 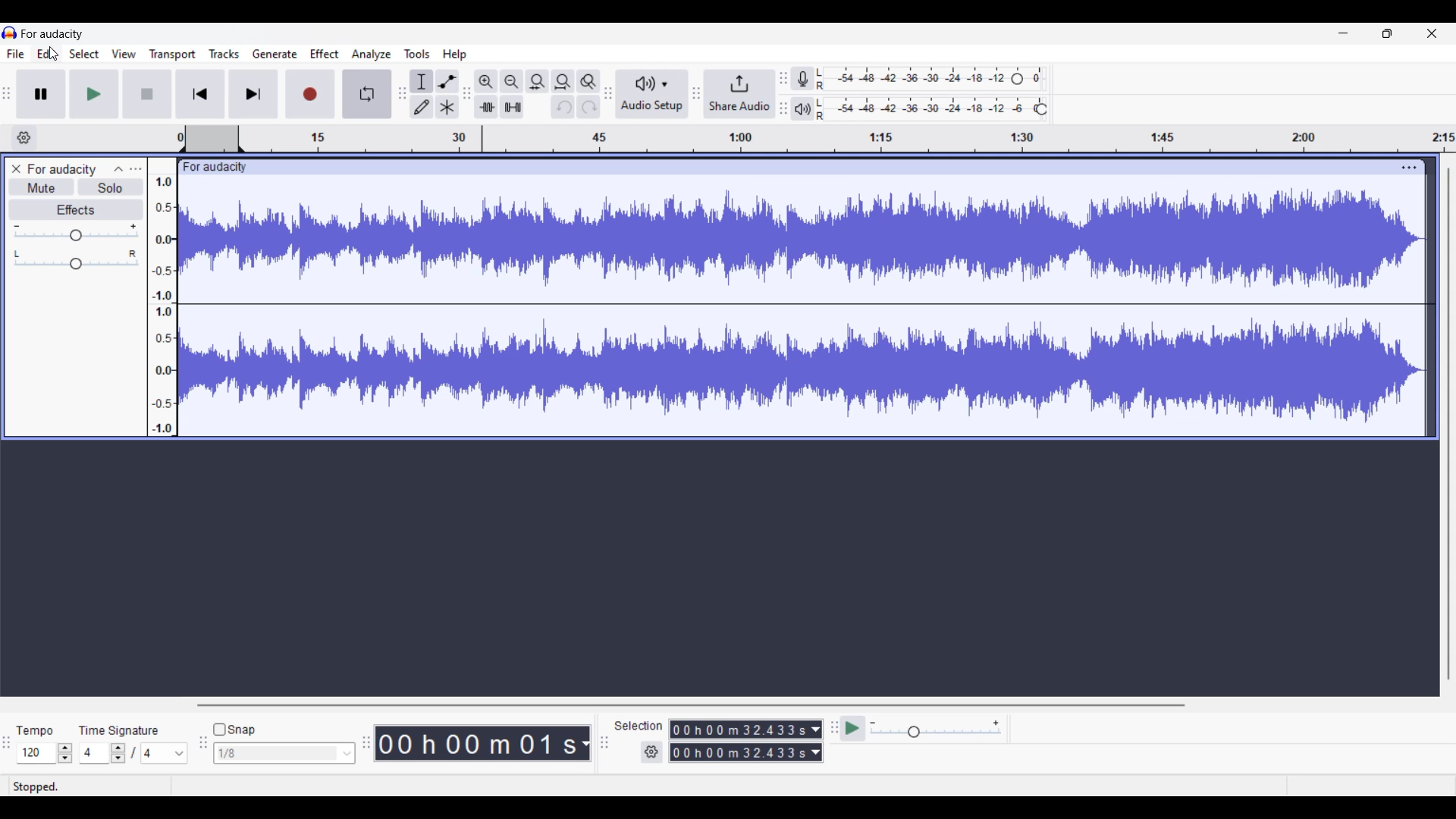 I want to click on Skip/Select to end, so click(x=254, y=94).